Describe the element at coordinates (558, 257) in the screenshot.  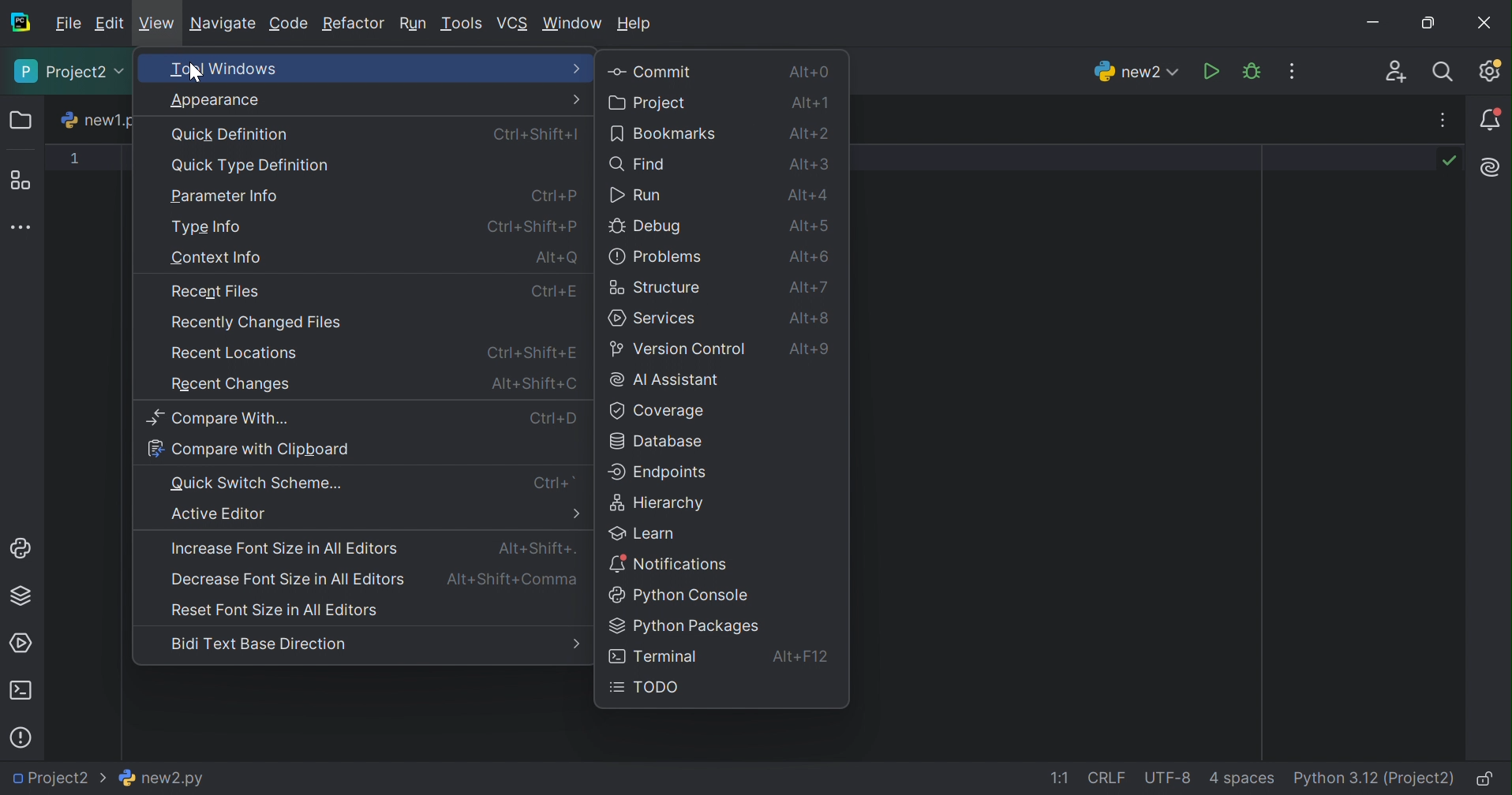
I see `Alt+P` at that location.